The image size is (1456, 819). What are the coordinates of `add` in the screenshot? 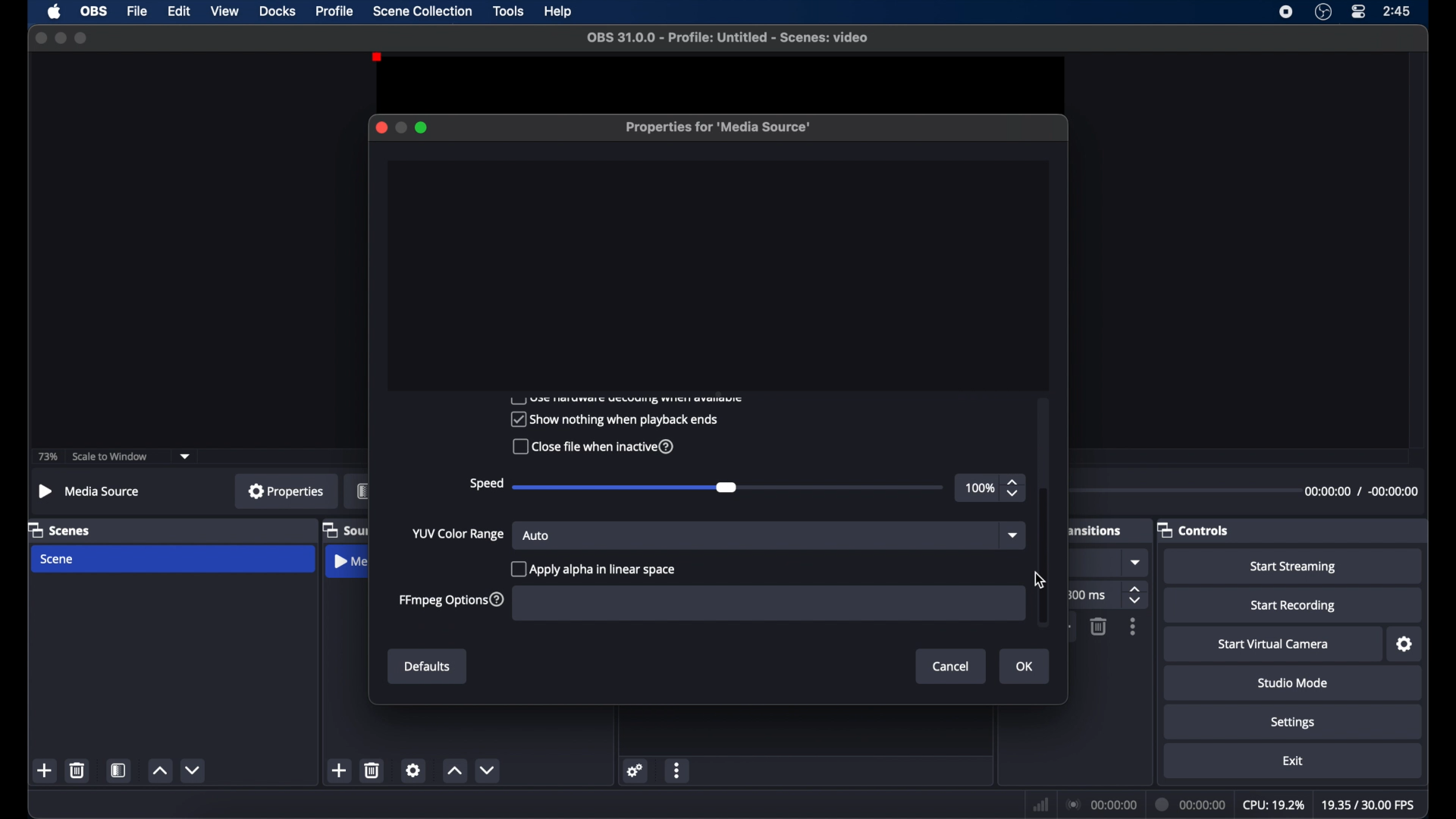 It's located at (45, 770).